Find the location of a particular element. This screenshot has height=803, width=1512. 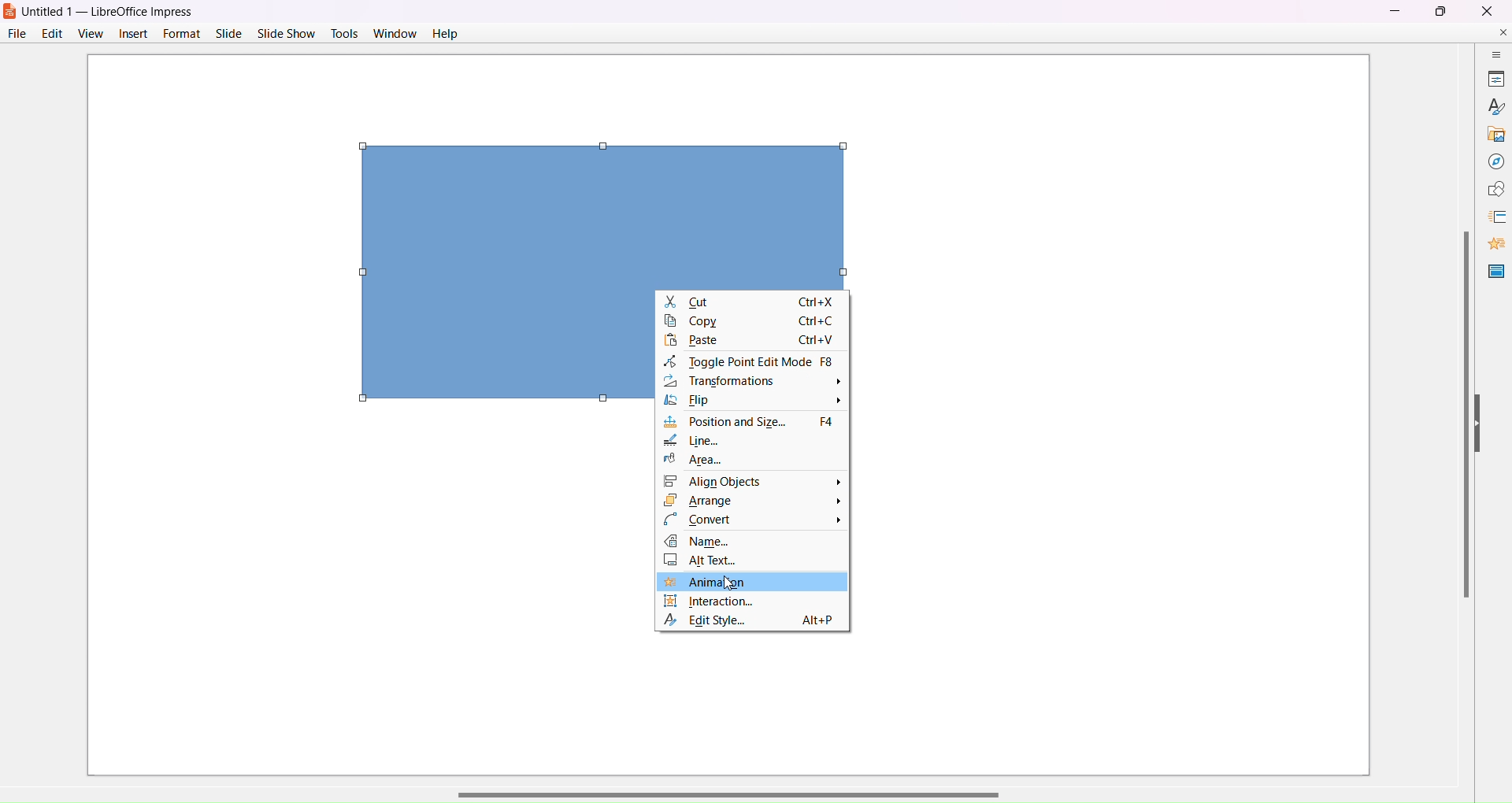

Alt tect is located at coordinates (755, 560).